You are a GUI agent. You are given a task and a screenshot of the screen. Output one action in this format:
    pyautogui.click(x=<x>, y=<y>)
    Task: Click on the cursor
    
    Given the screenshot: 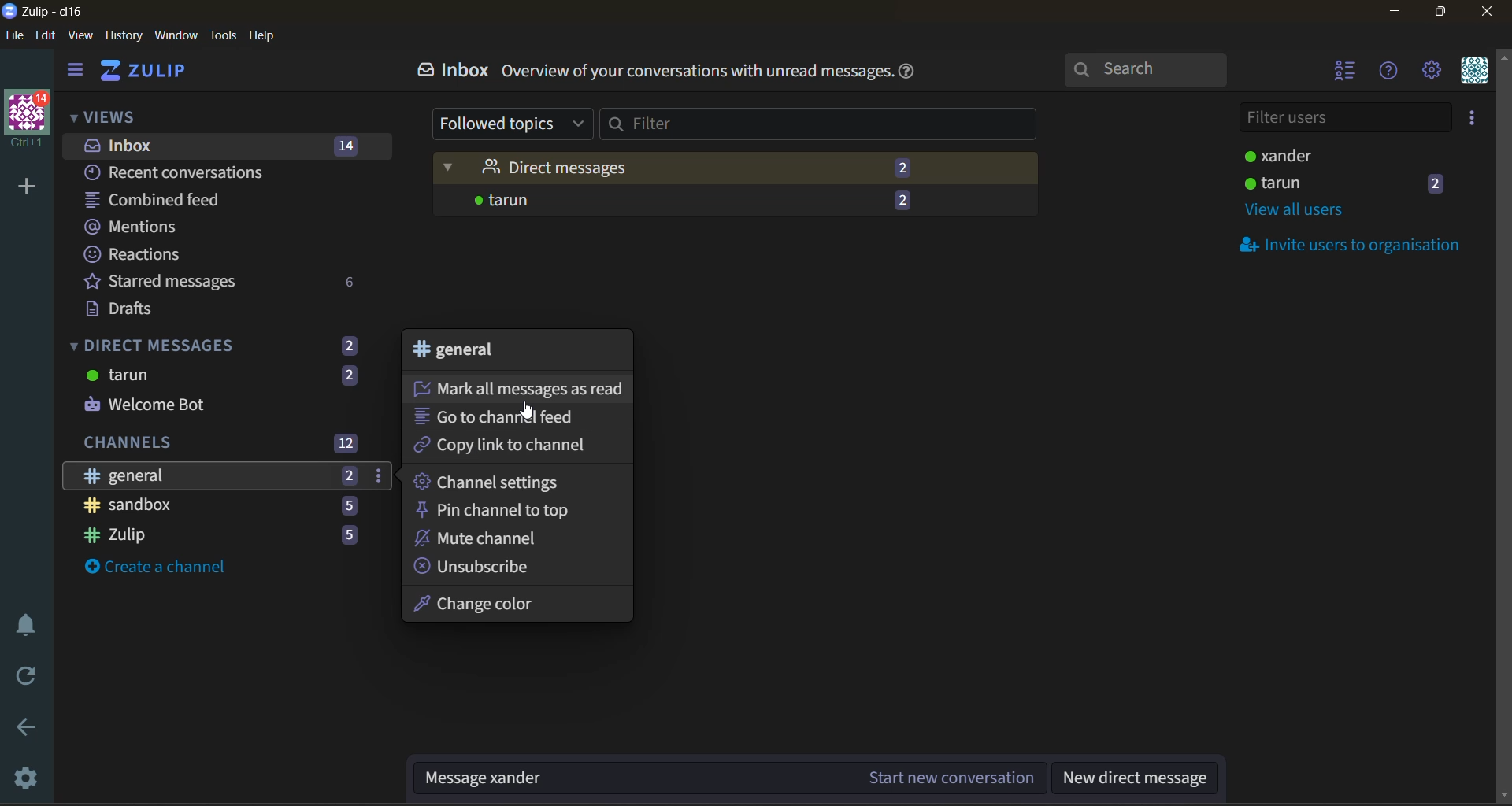 What is the action you would take?
    pyautogui.click(x=527, y=412)
    